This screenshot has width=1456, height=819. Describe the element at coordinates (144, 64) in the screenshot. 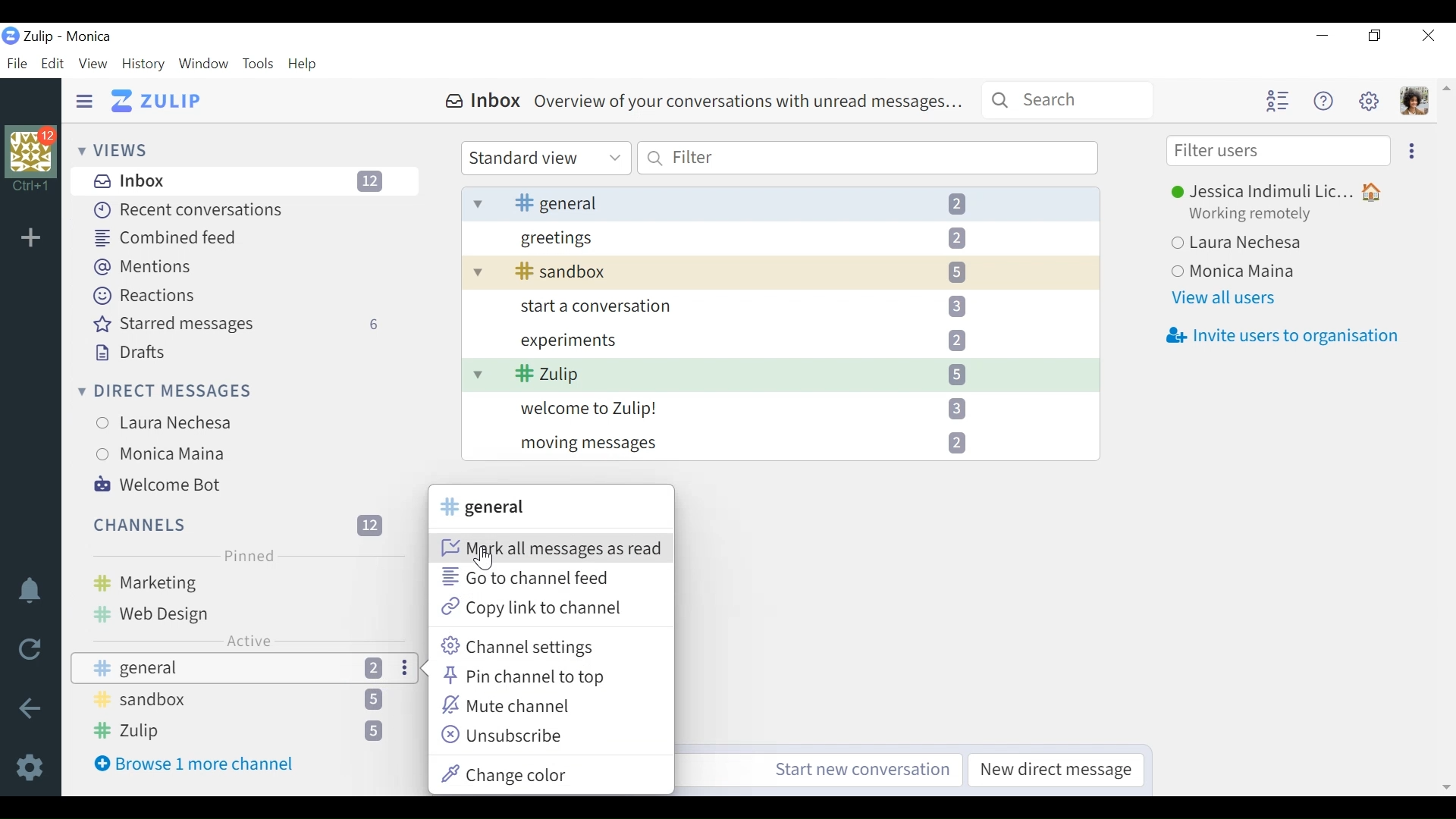

I see `History` at that location.